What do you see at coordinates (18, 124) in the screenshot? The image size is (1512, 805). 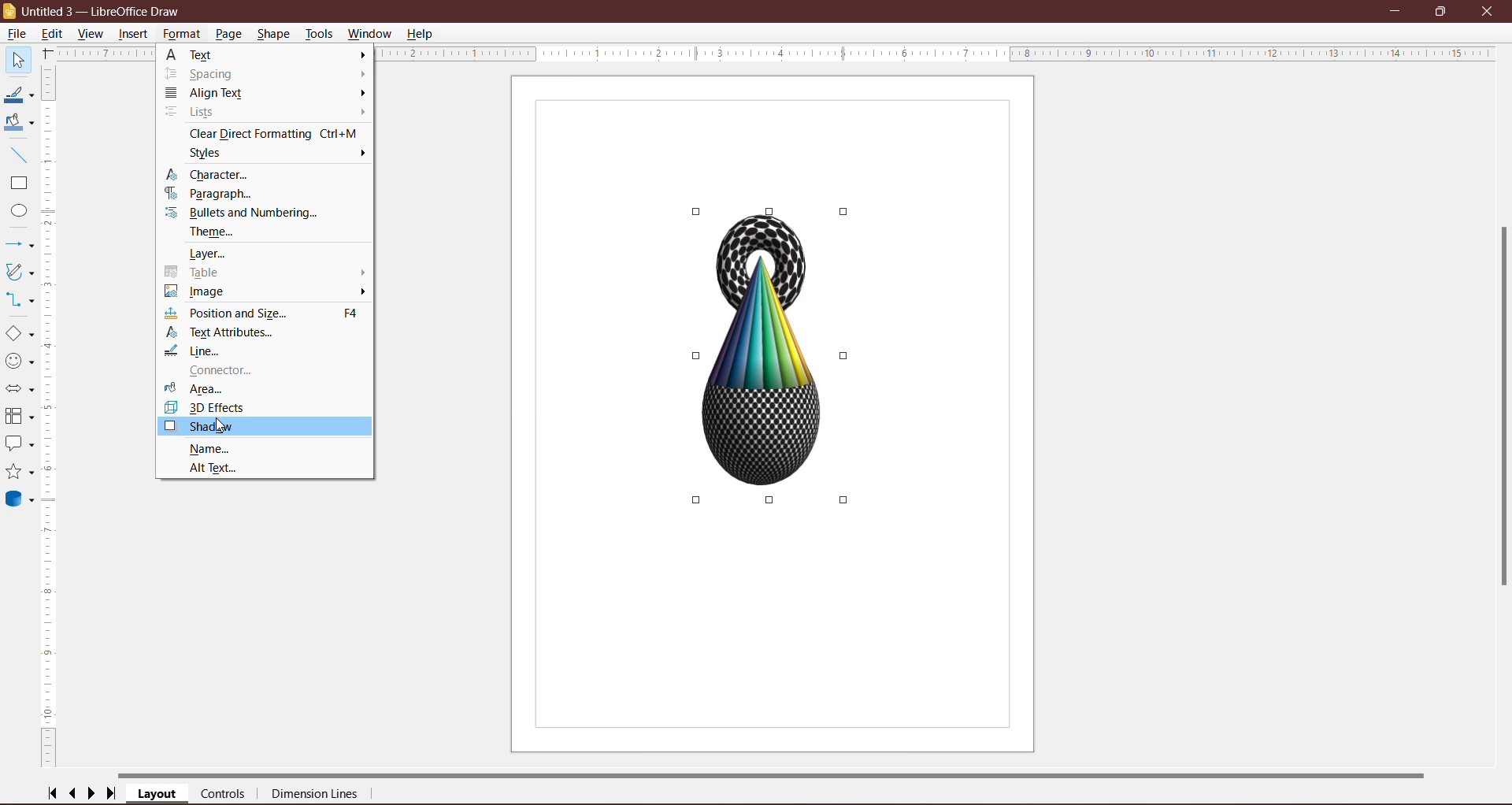 I see `Fill Color` at bounding box center [18, 124].